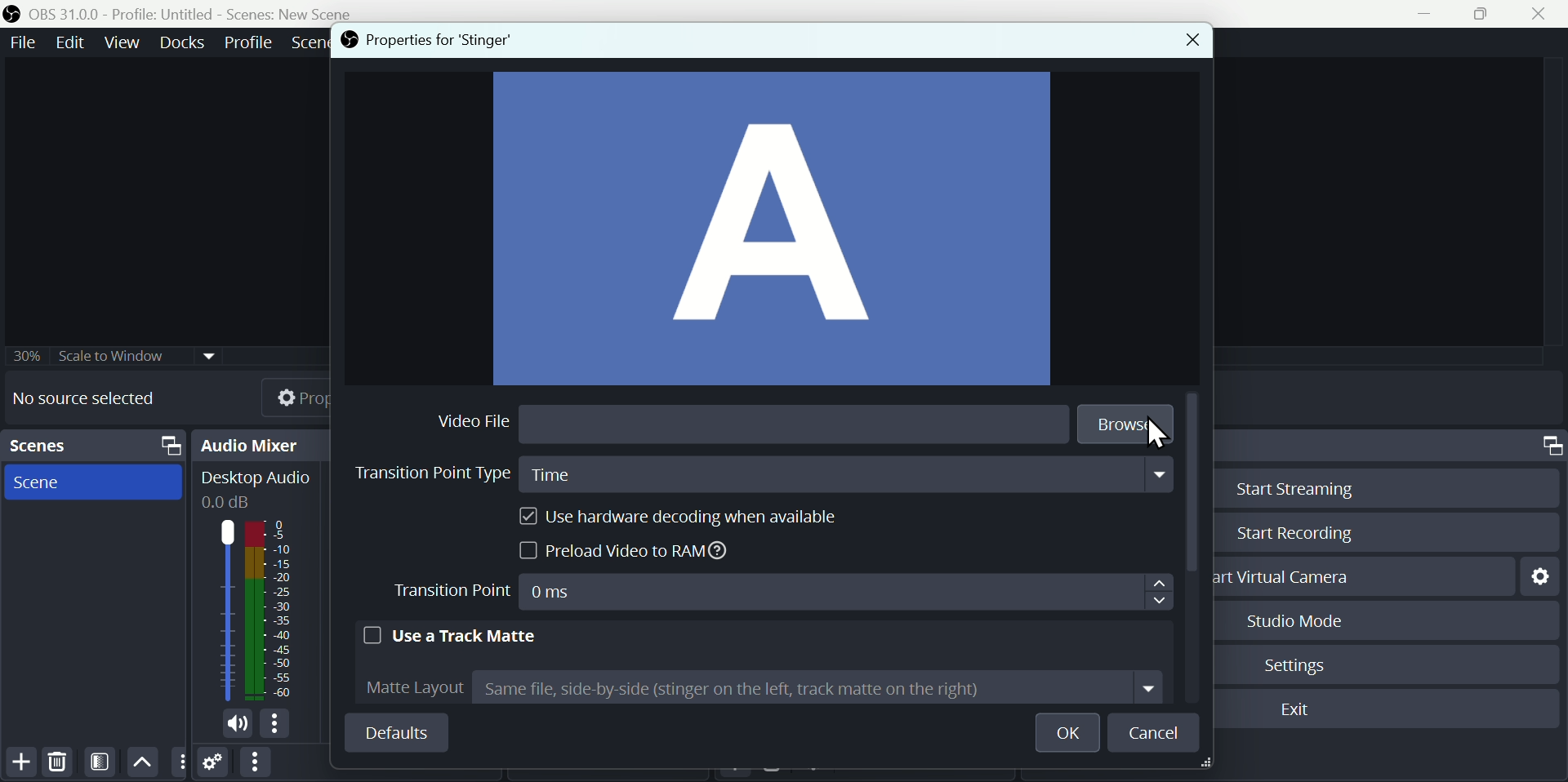 Image resolution: width=1568 pixels, height=782 pixels. I want to click on Desktop Audio, so click(254, 488).